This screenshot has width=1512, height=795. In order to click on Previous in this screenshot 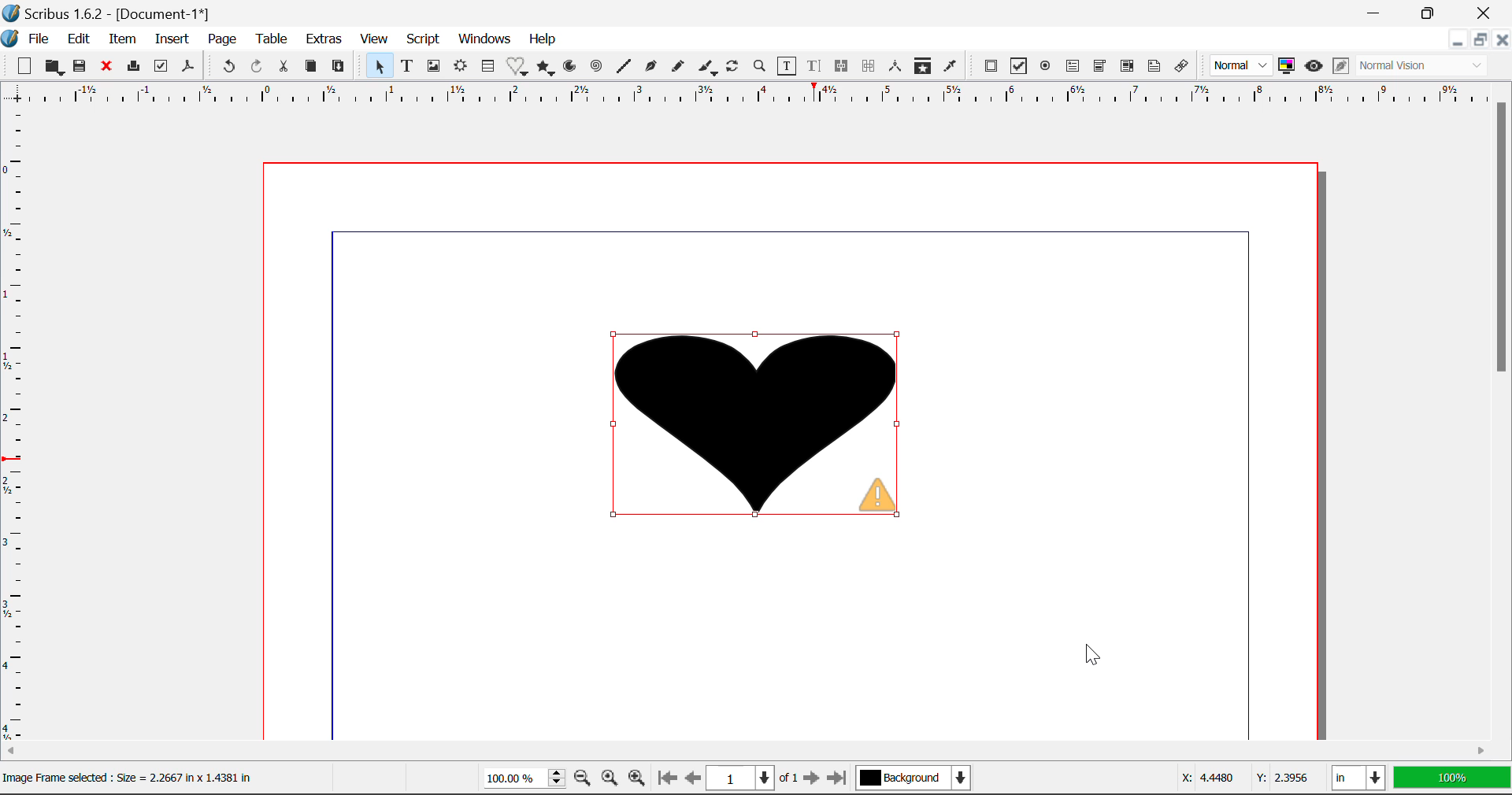, I will do `click(694, 779)`.